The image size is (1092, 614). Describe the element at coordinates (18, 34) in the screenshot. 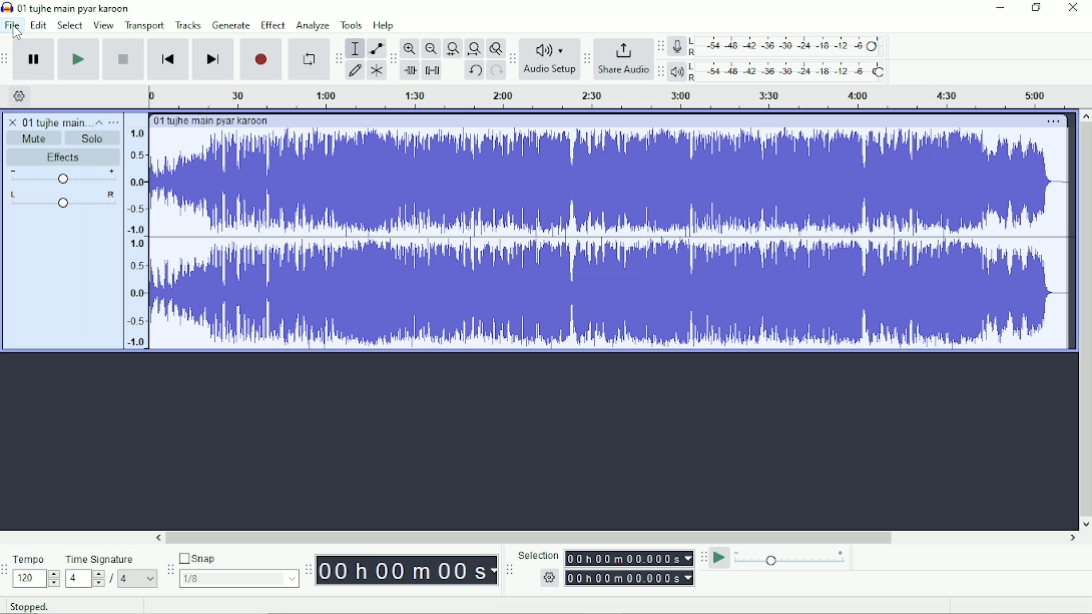

I see `Cursor` at that location.